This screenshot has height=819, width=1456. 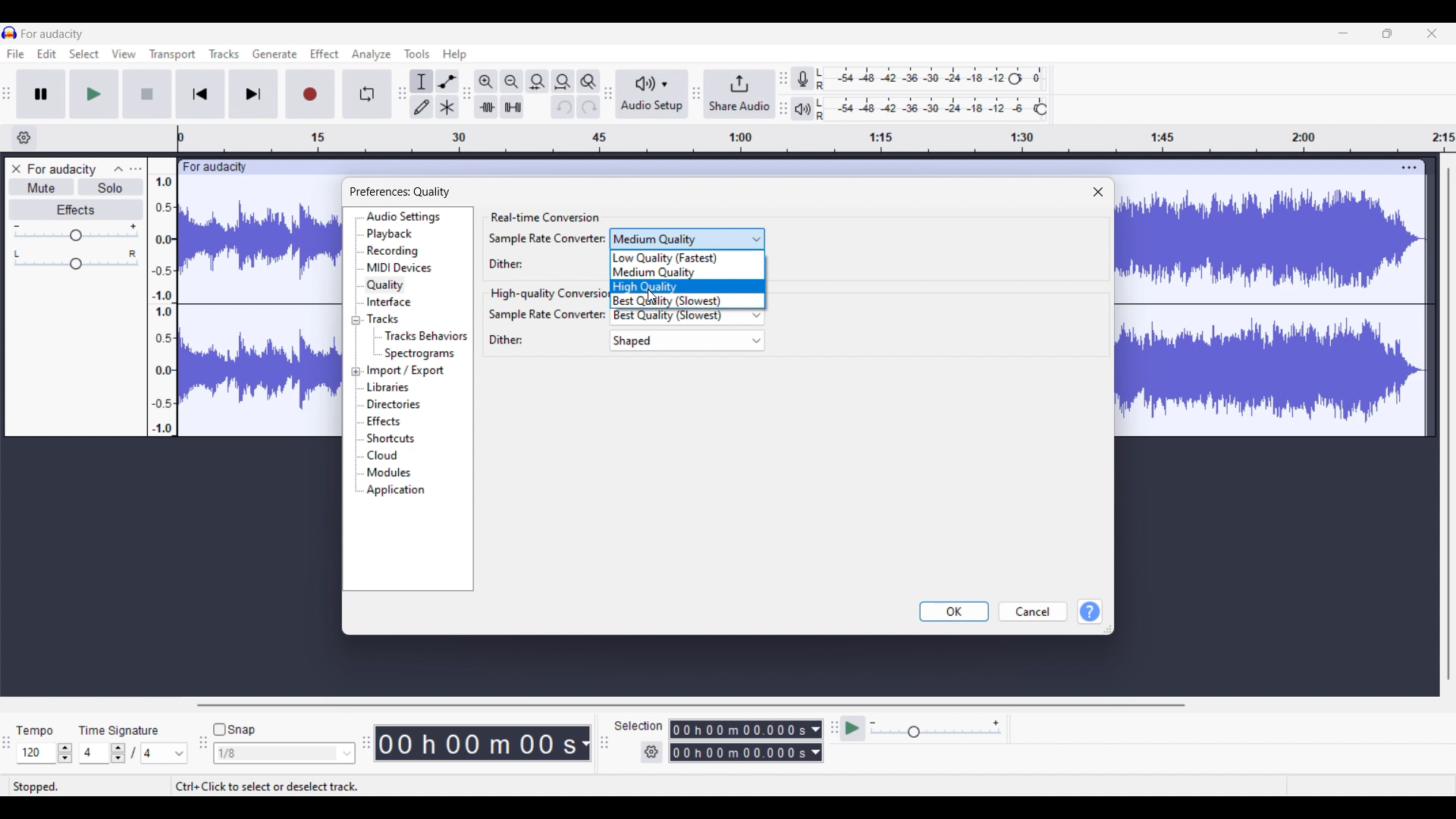 I want to click on Header to change Playback level, so click(x=1041, y=109).